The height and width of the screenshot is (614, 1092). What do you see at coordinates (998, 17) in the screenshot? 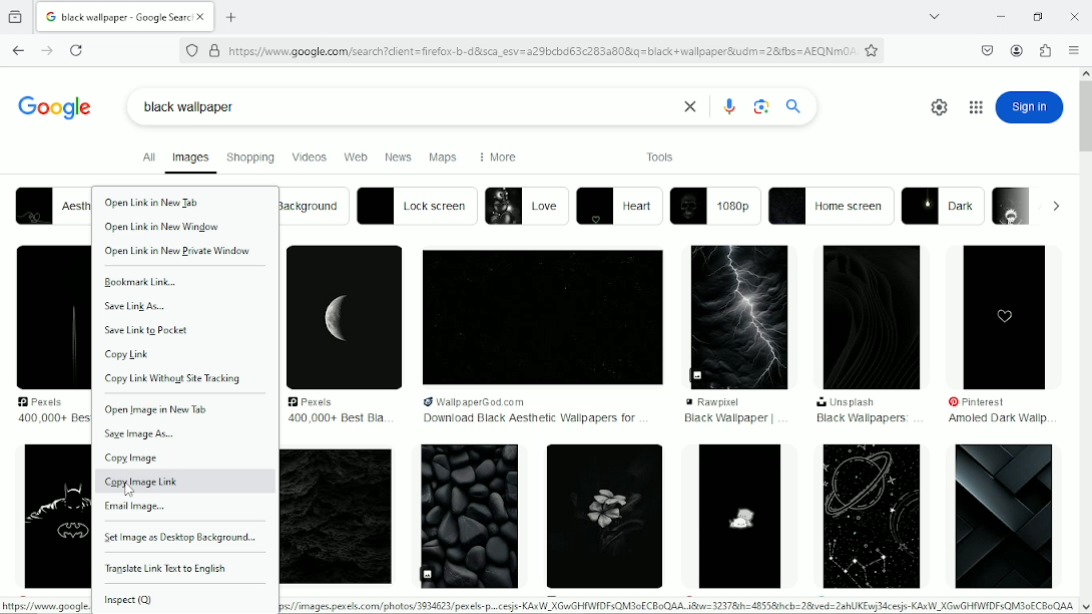
I see `minimize` at bounding box center [998, 17].